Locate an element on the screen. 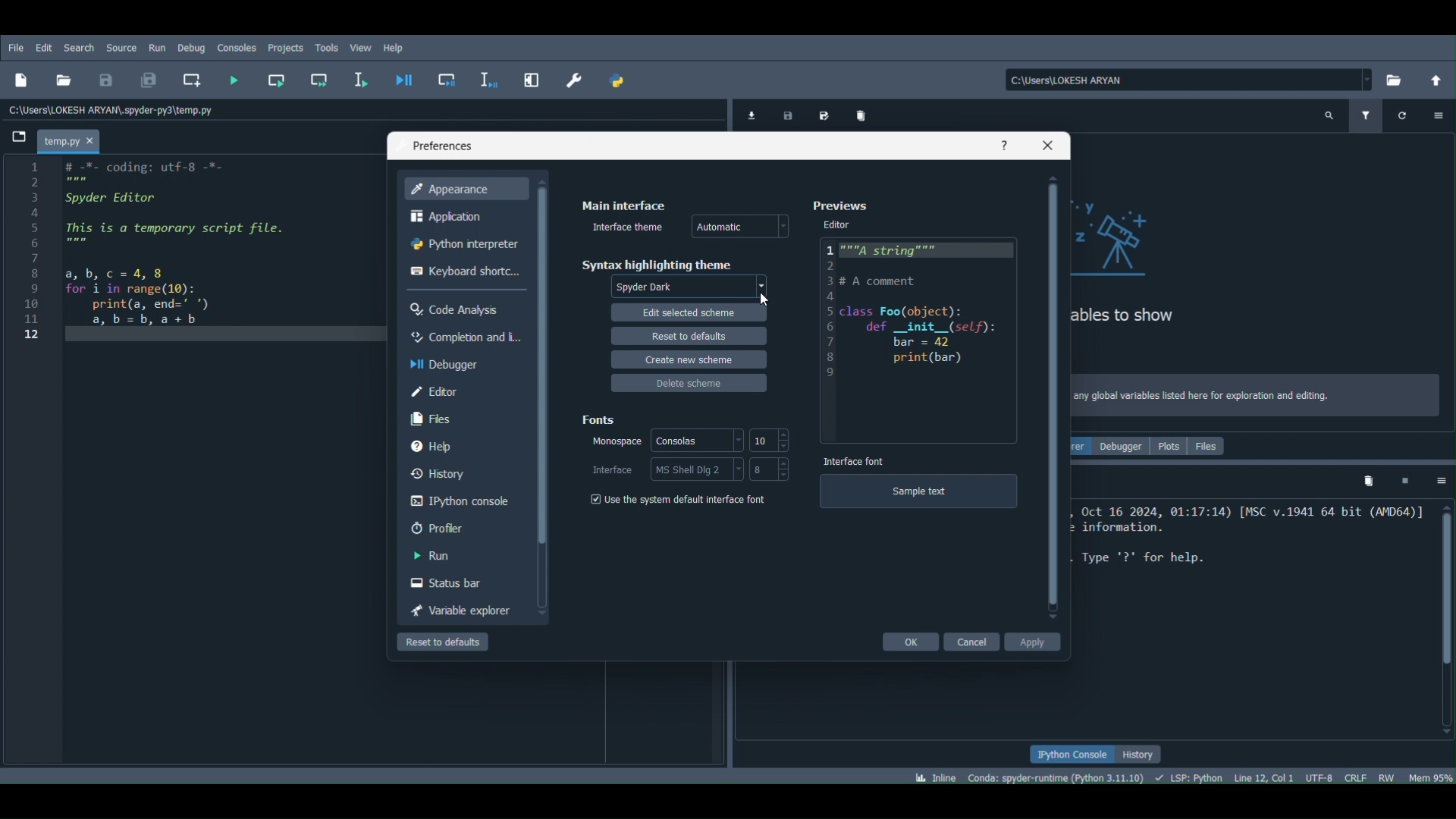  Application is located at coordinates (463, 215).